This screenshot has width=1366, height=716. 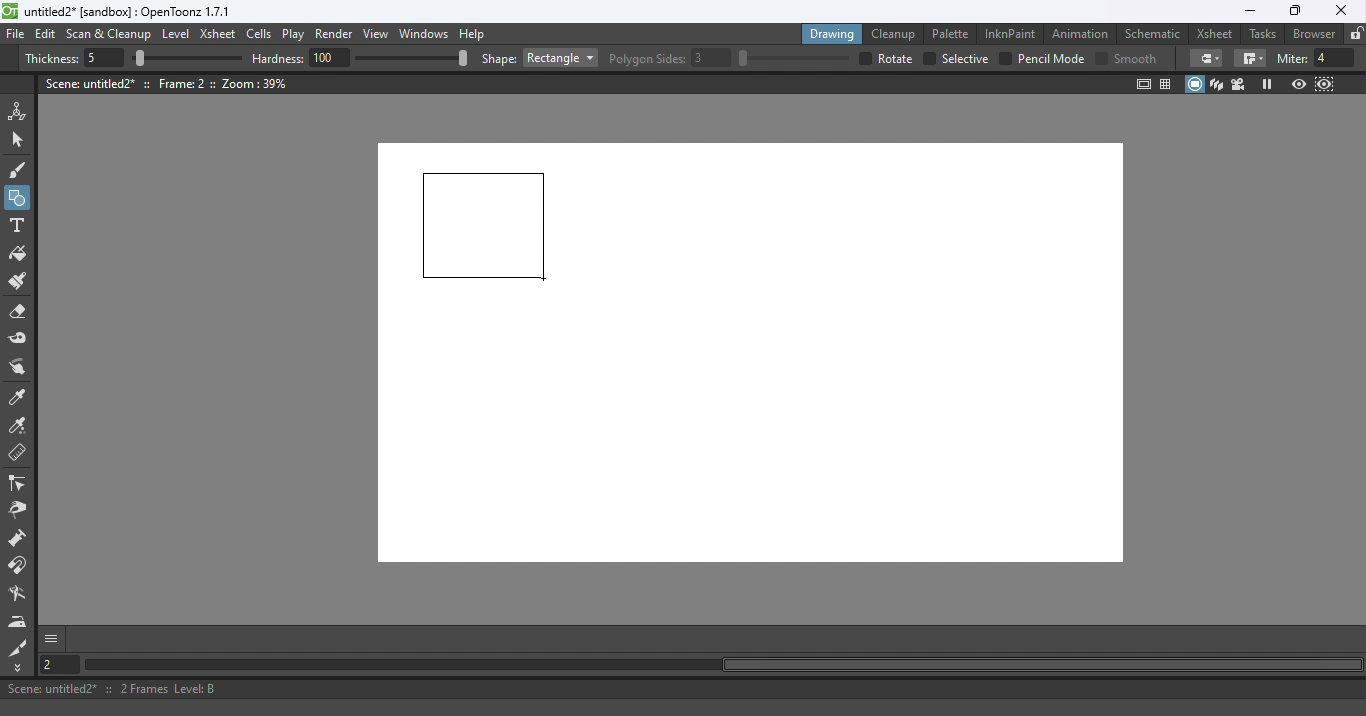 I want to click on Tape tool, so click(x=21, y=340).